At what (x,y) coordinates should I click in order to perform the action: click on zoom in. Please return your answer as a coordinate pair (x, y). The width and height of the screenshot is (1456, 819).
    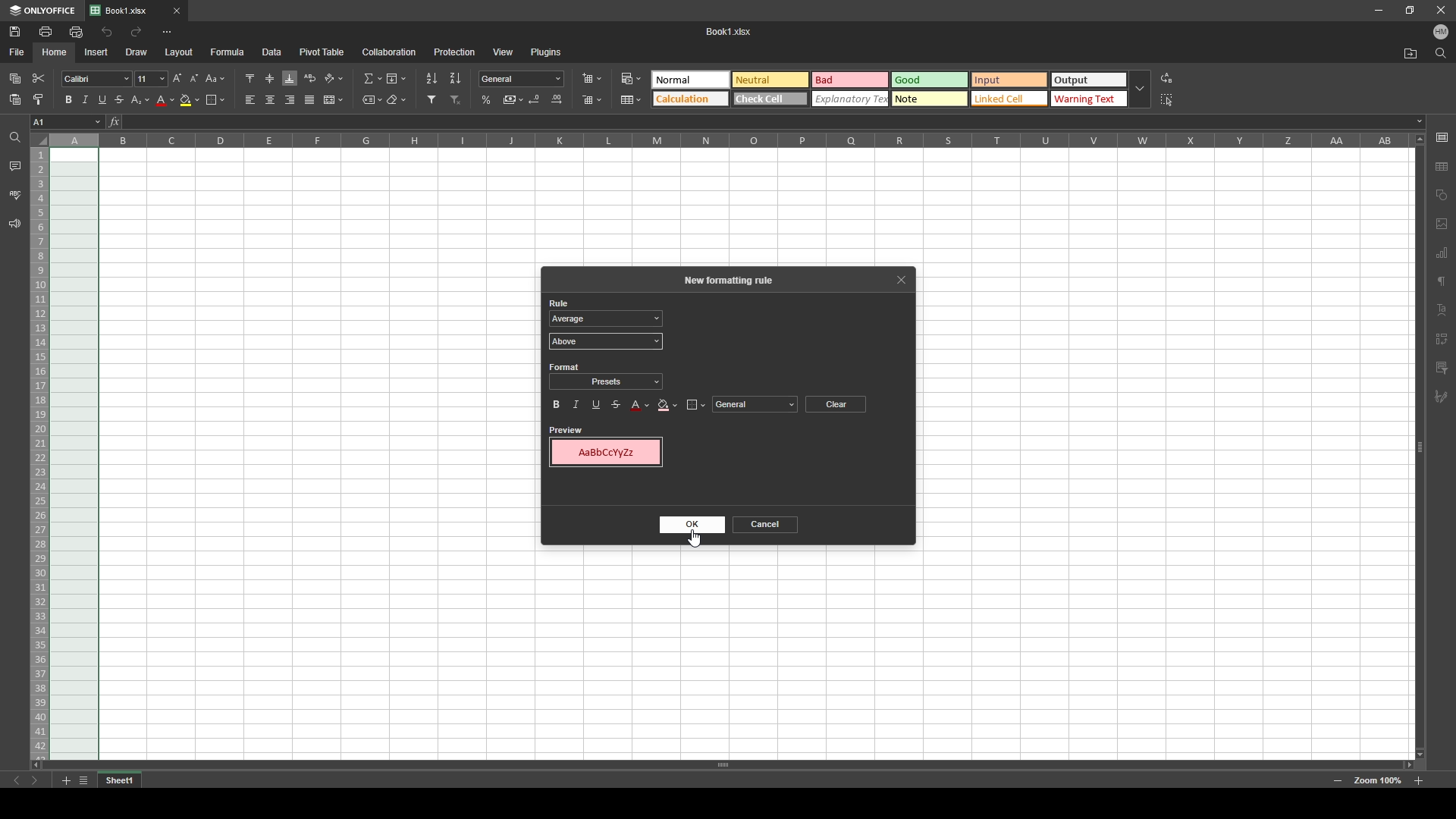
    Looking at the image, I should click on (1418, 781).